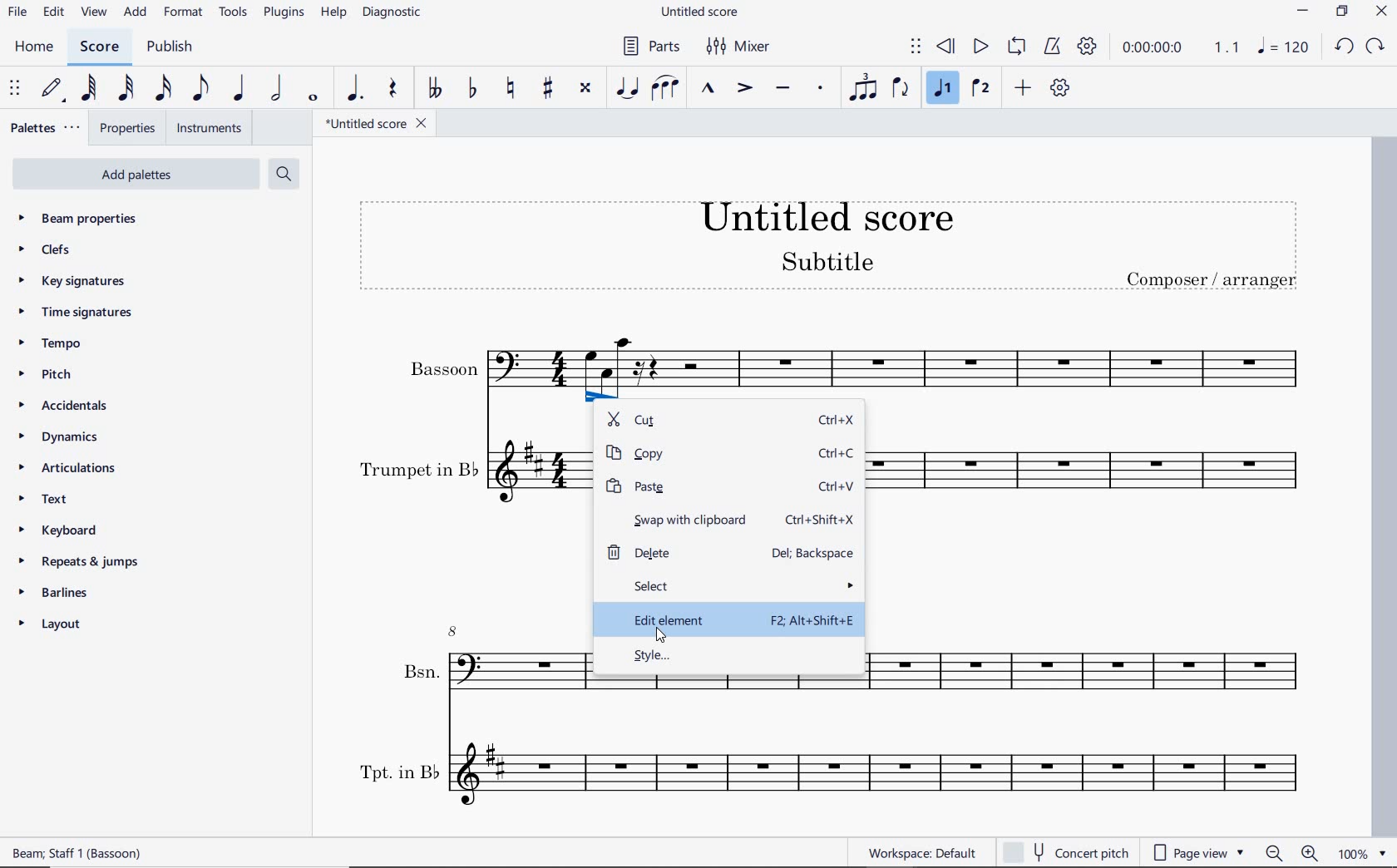 The width and height of the screenshot is (1397, 868). Describe the element at coordinates (660, 635) in the screenshot. I see `cursor` at that location.